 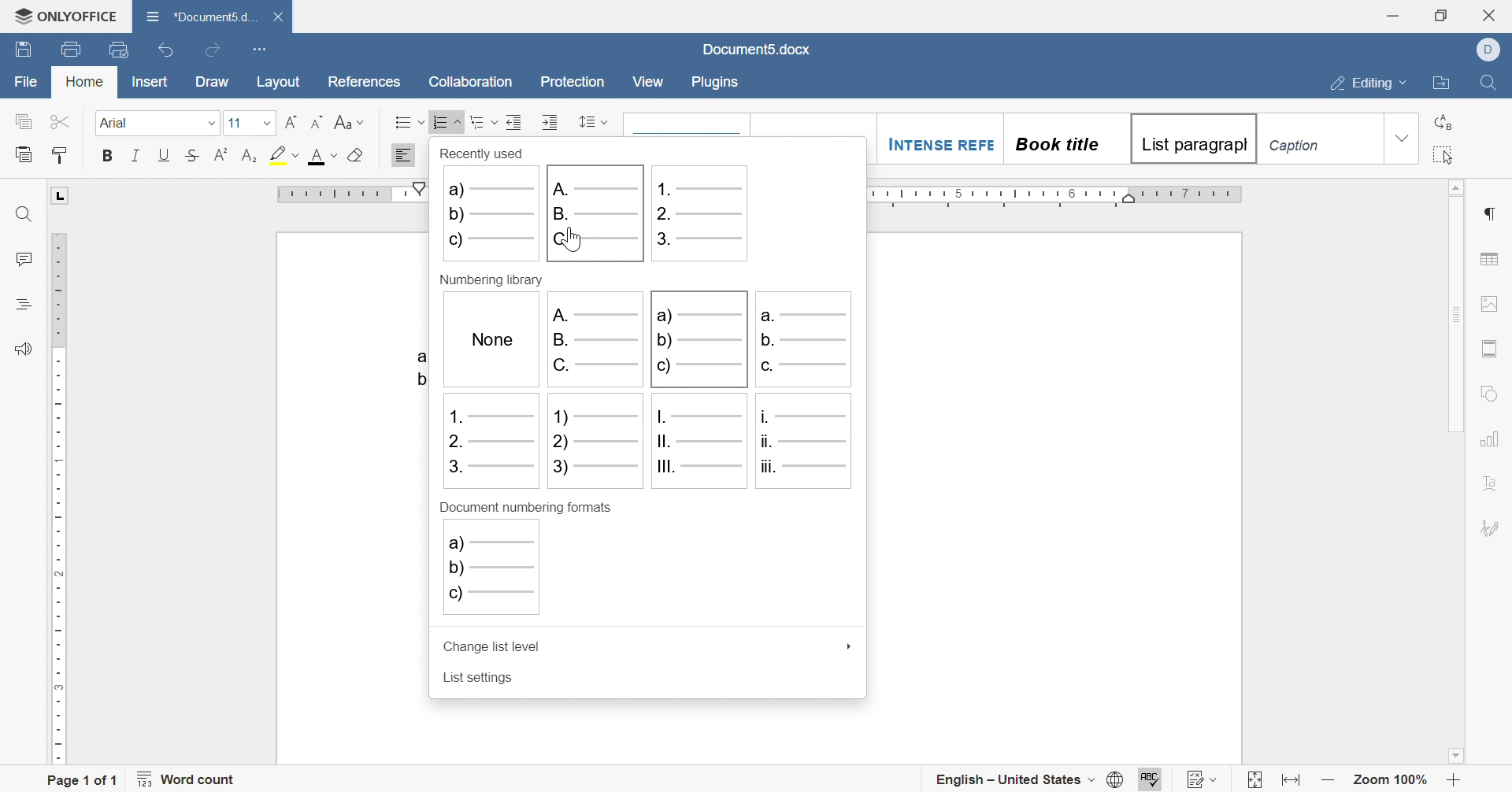 I want to click on document numbering formats, so click(x=528, y=509).